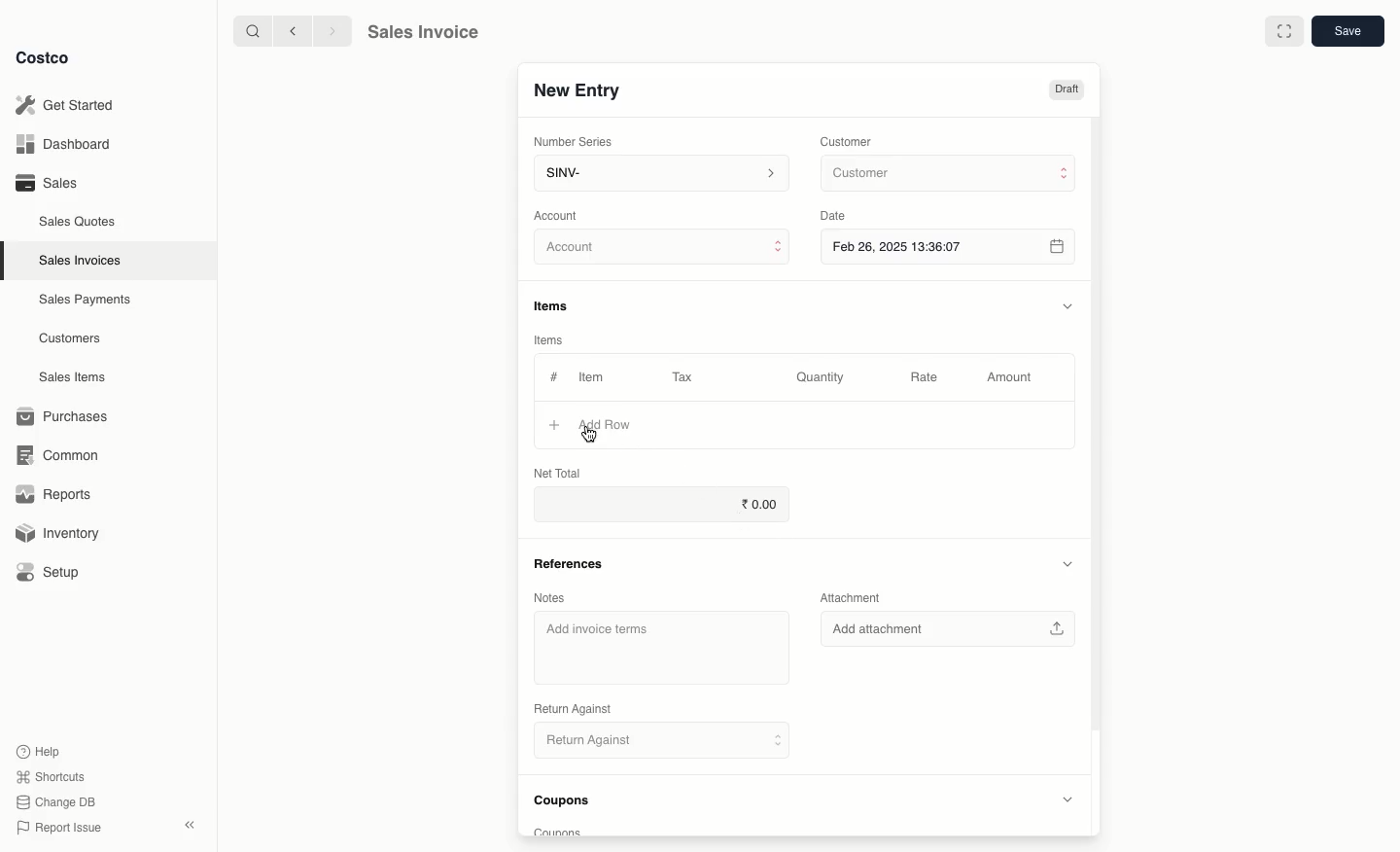  Describe the element at coordinates (663, 250) in the screenshot. I see `Account` at that location.